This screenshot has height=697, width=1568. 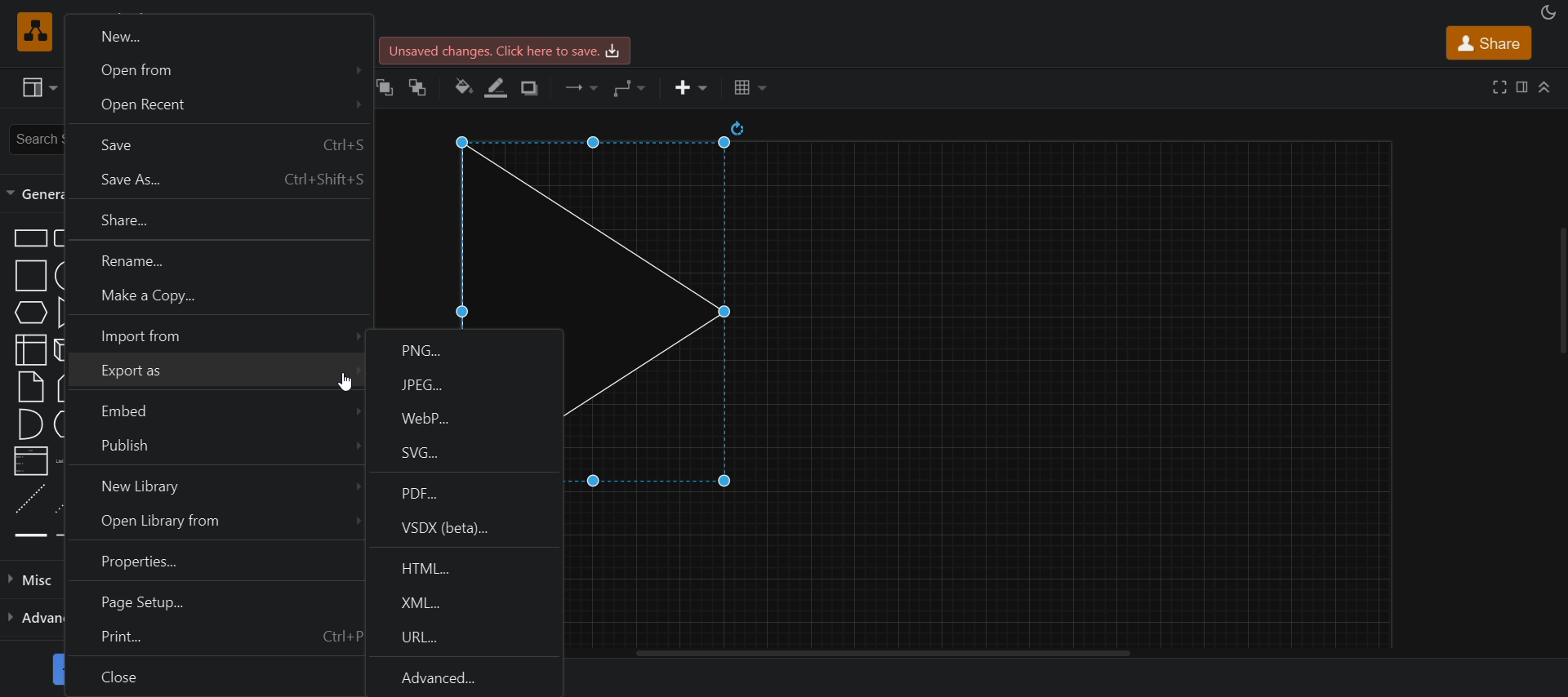 What do you see at coordinates (38, 89) in the screenshot?
I see `view` at bounding box center [38, 89].